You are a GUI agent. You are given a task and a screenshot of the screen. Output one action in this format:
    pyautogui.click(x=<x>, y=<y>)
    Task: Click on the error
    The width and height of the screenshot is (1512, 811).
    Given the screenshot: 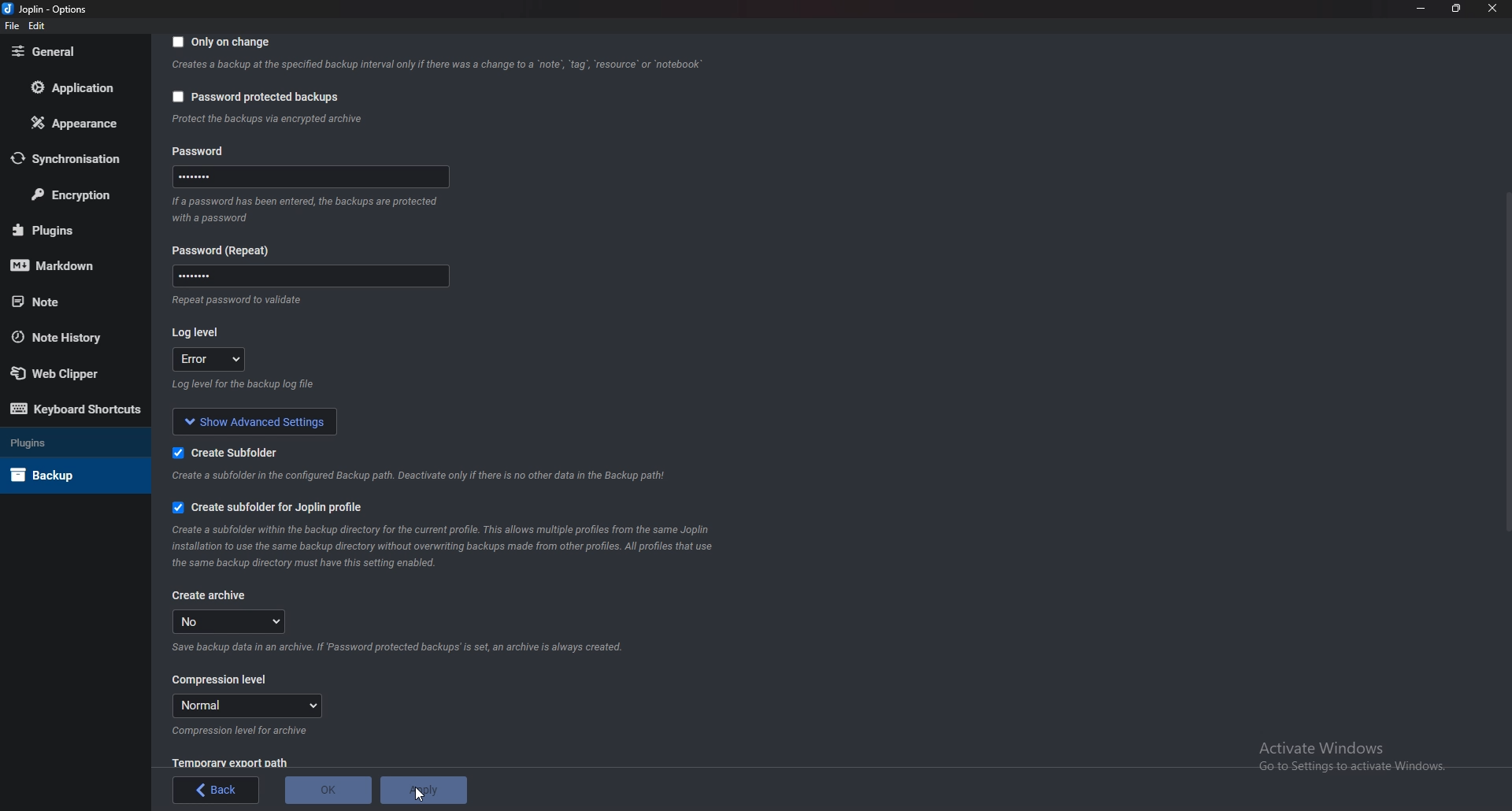 What is the action you would take?
    pyautogui.click(x=211, y=360)
    